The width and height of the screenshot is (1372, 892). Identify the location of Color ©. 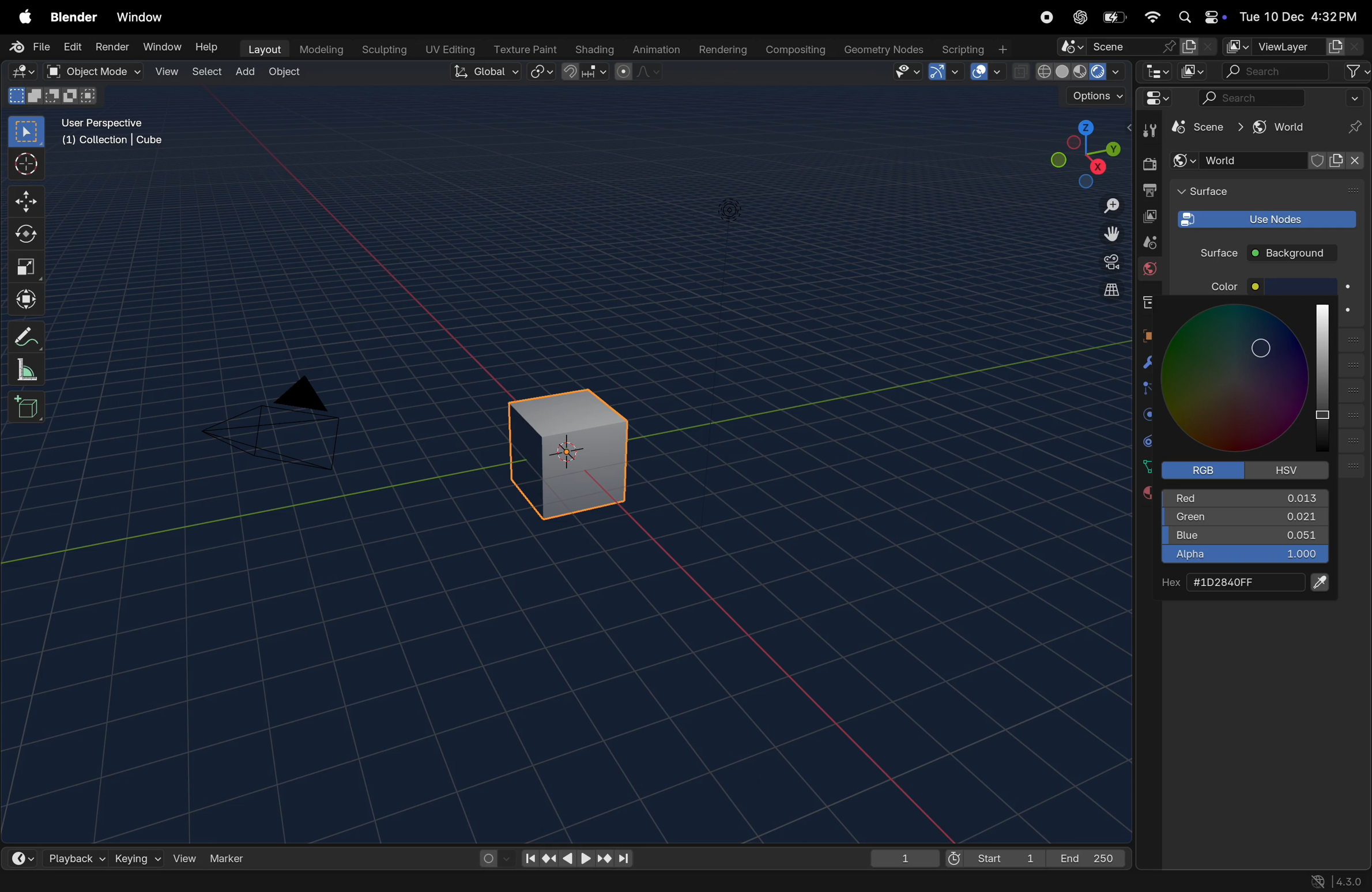
(1241, 287).